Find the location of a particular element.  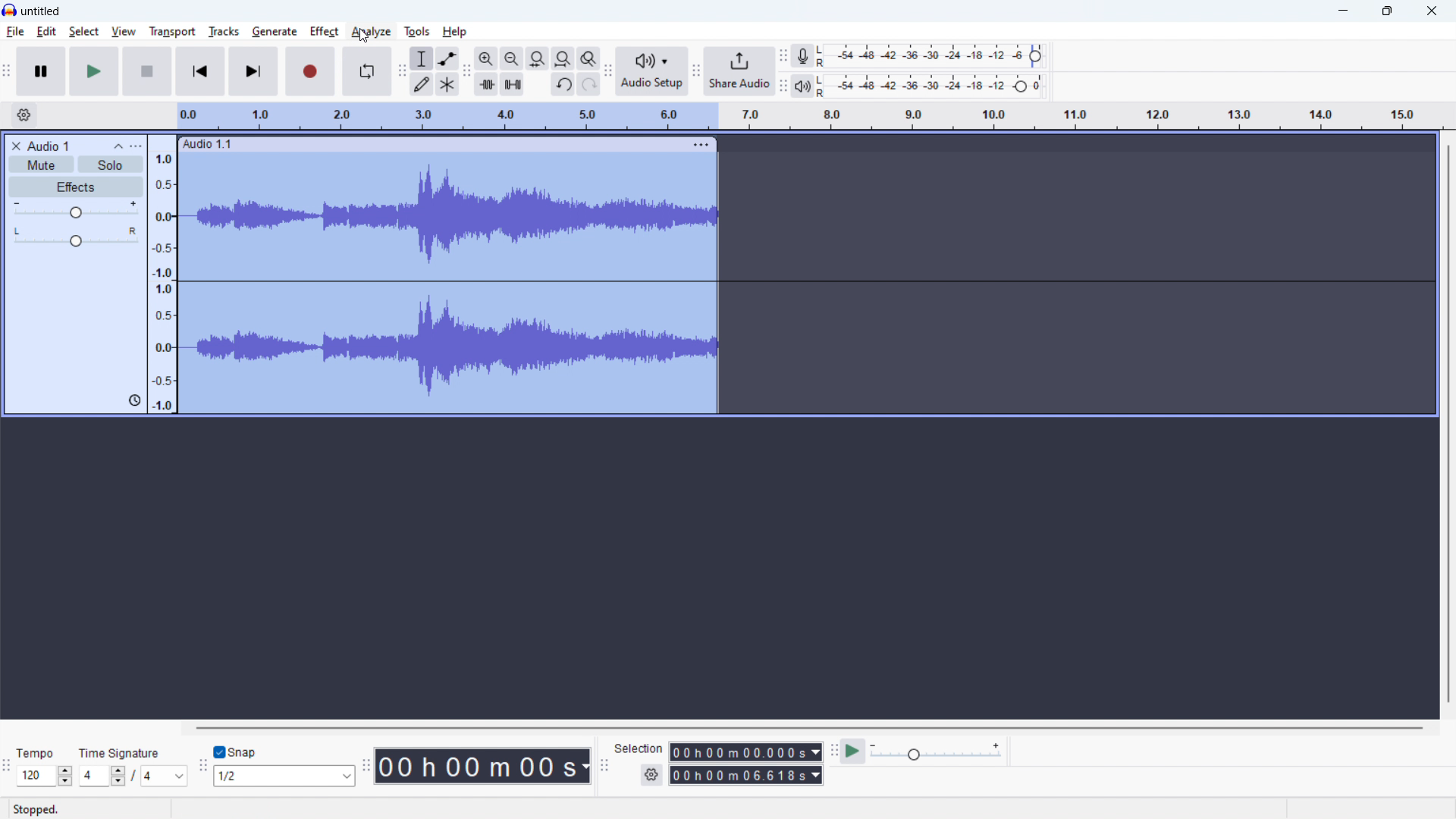

start time is located at coordinates (746, 752).